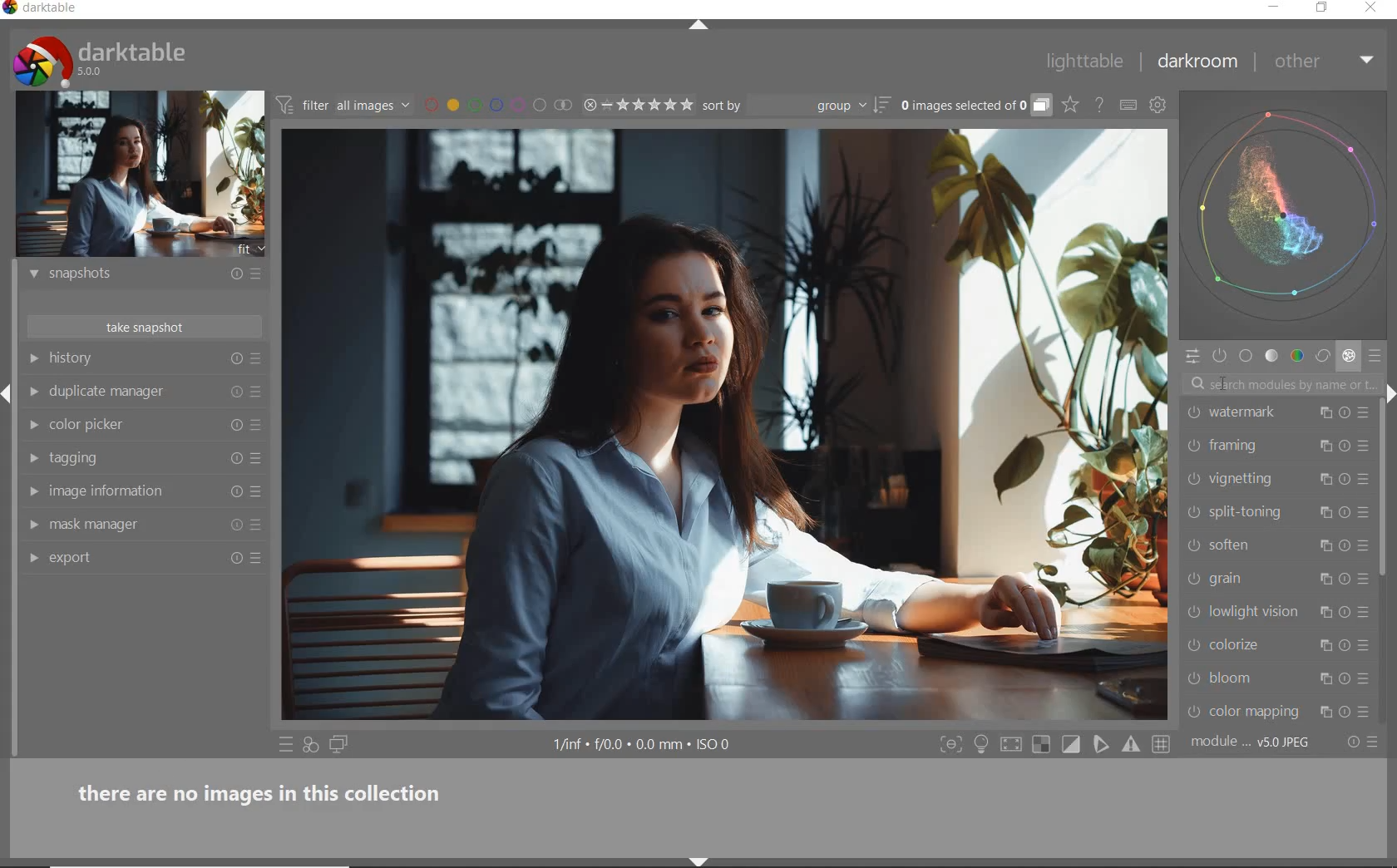  I want to click on ctrl+b, so click(983, 744).